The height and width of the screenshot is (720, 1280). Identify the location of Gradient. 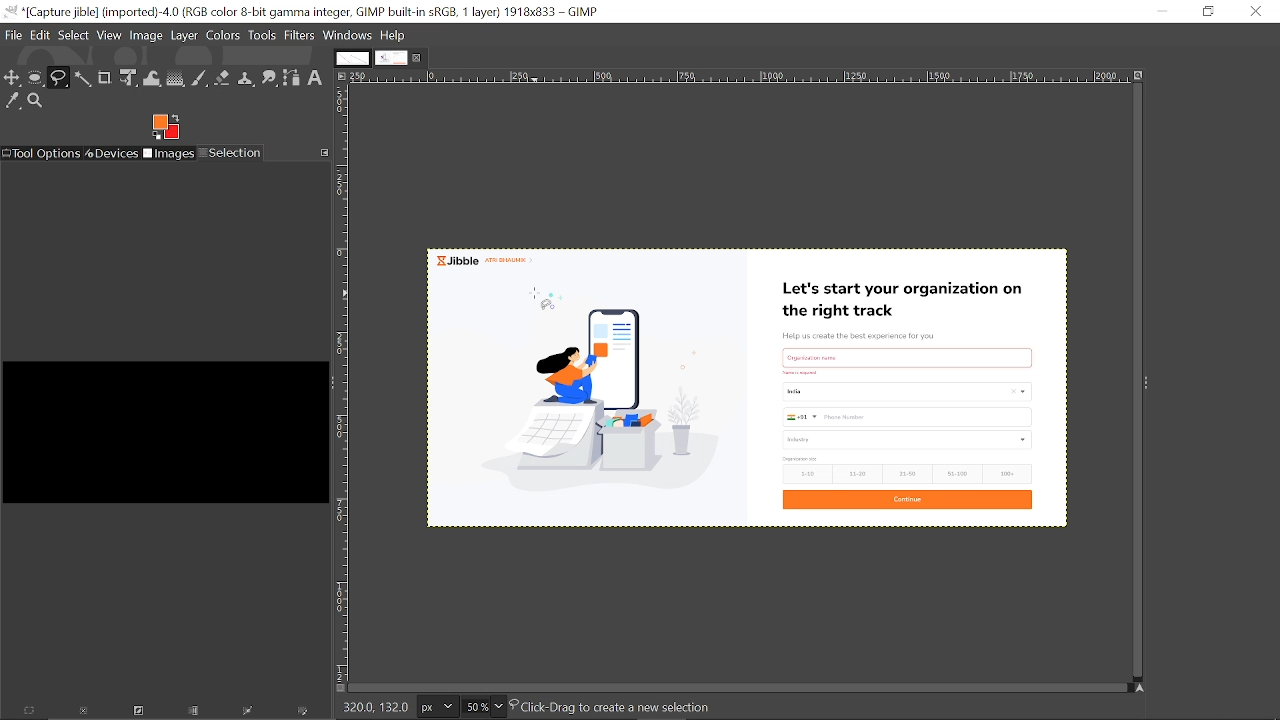
(175, 79).